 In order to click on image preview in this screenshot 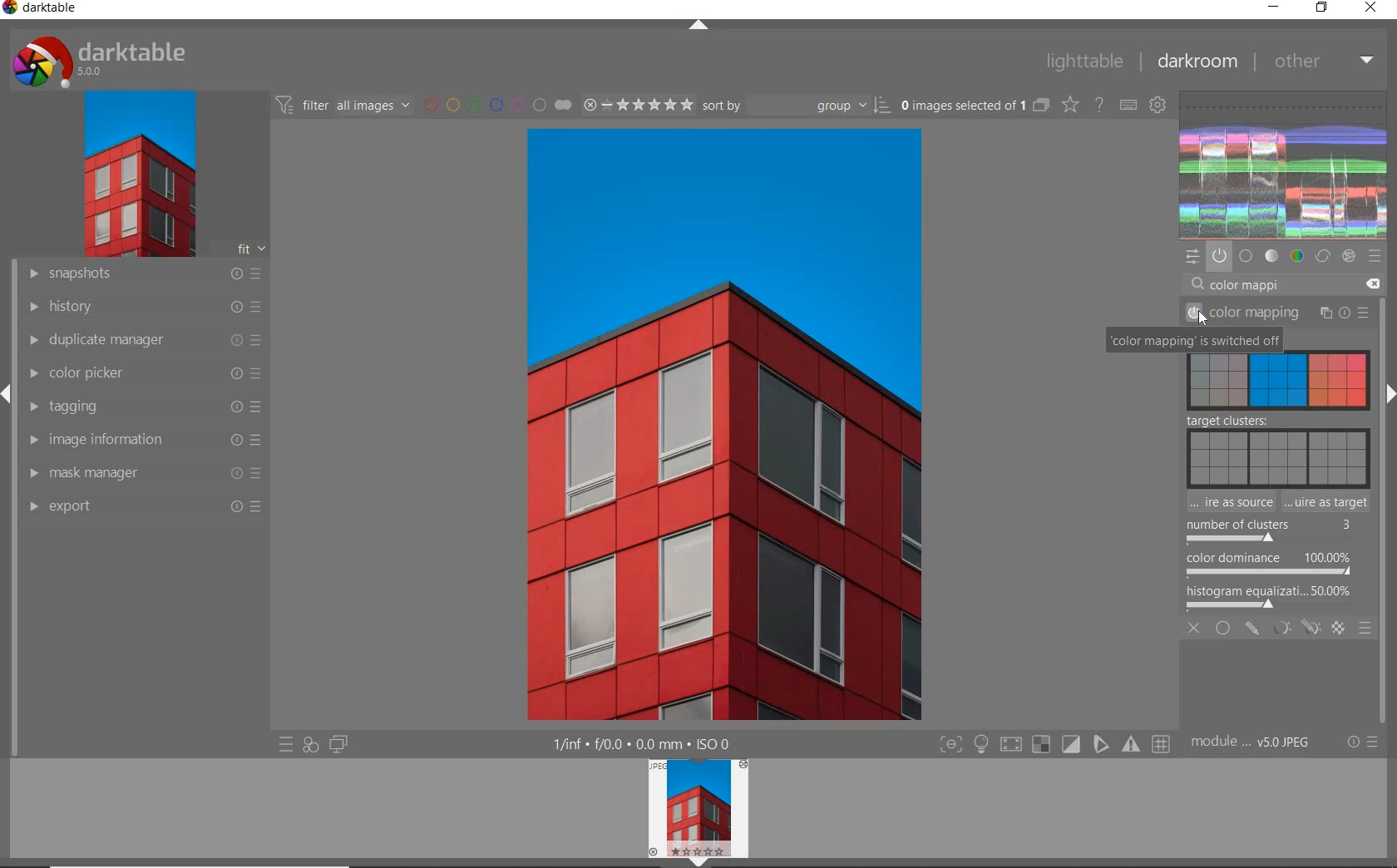, I will do `click(697, 813)`.